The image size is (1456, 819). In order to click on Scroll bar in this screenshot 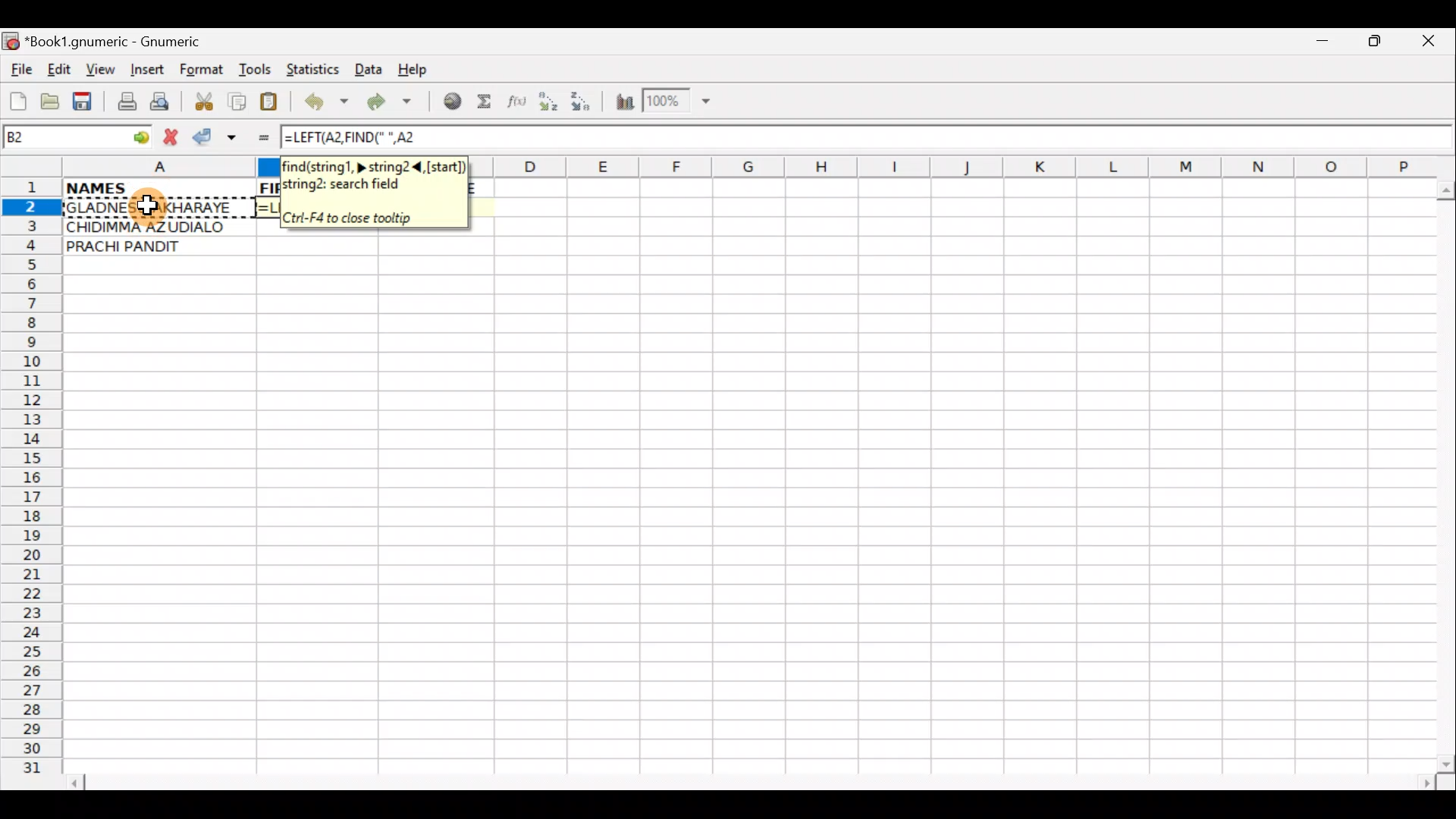, I will do `click(754, 780)`.